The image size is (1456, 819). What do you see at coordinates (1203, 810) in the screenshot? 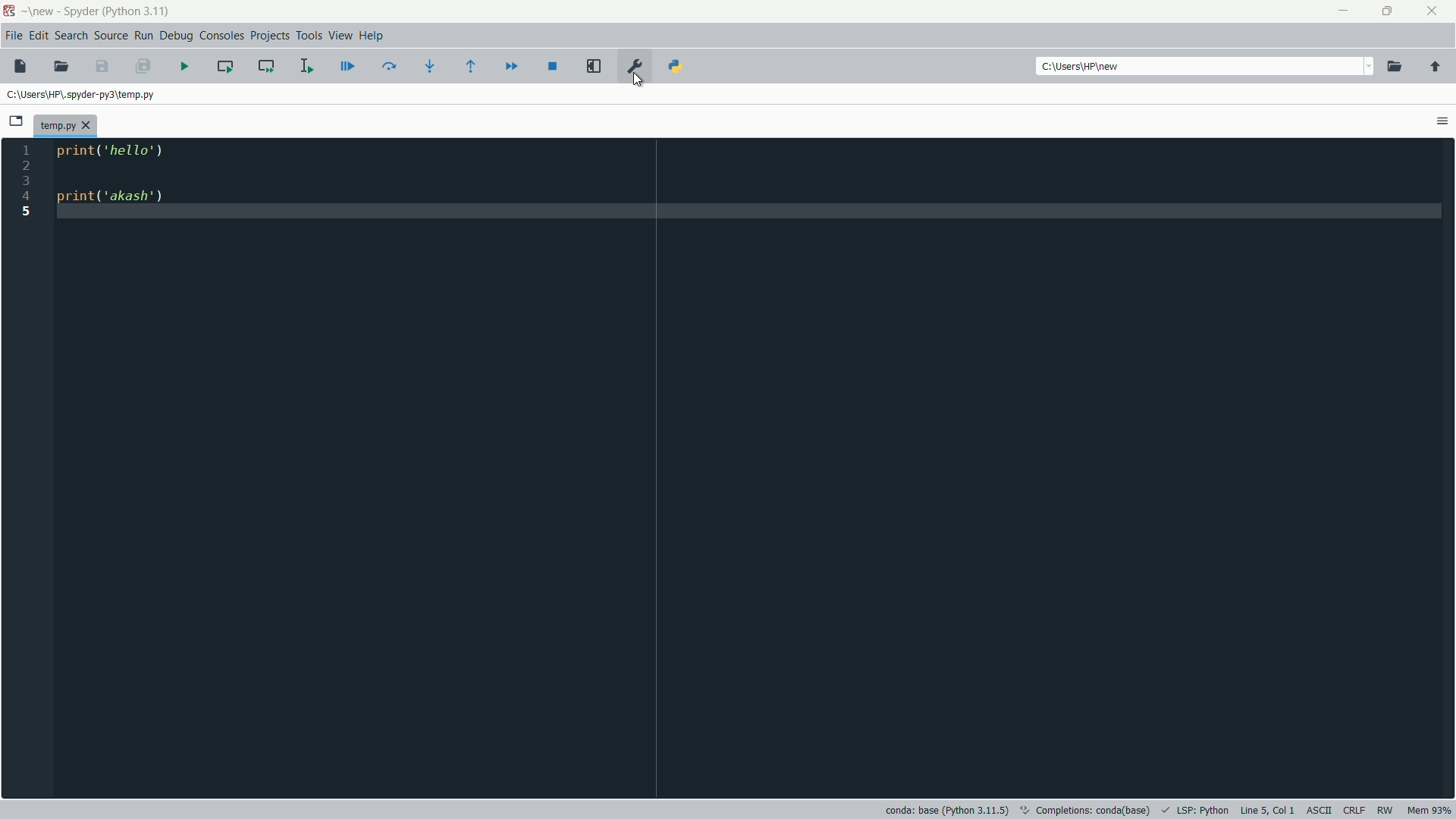
I see `LSP:Python` at bounding box center [1203, 810].